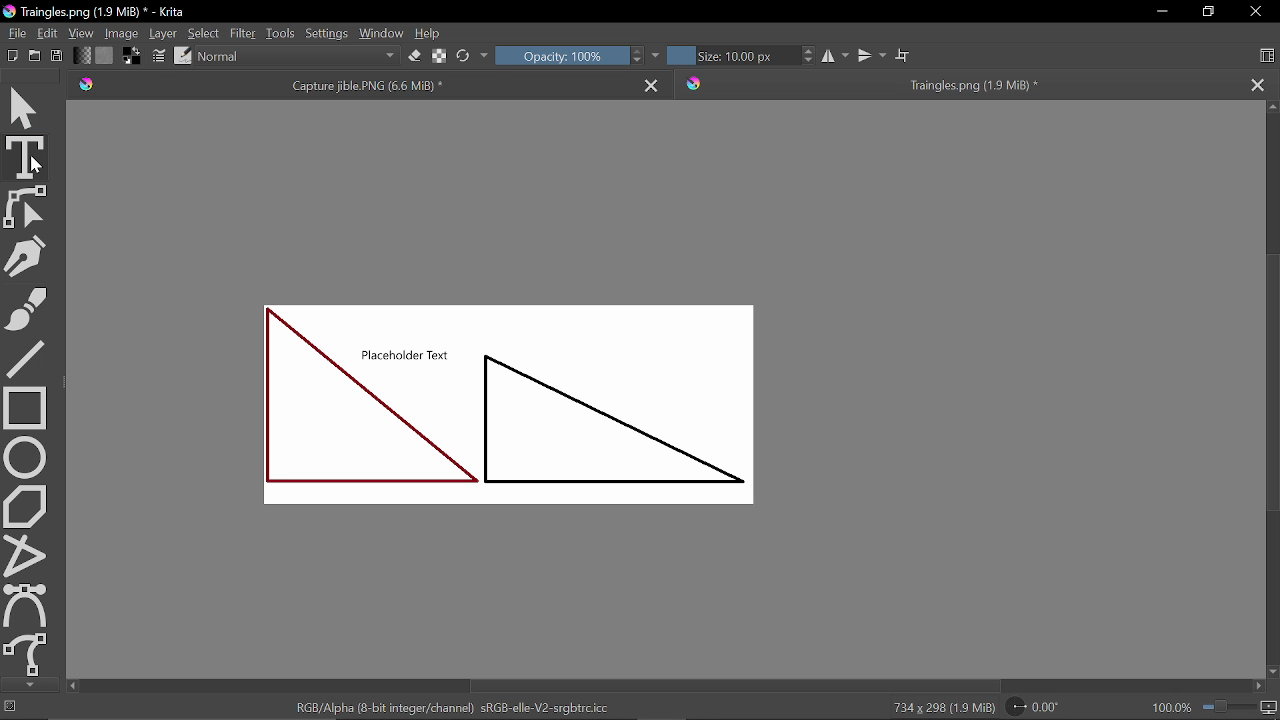 The image size is (1280, 720). What do you see at coordinates (204, 34) in the screenshot?
I see `Select` at bounding box center [204, 34].